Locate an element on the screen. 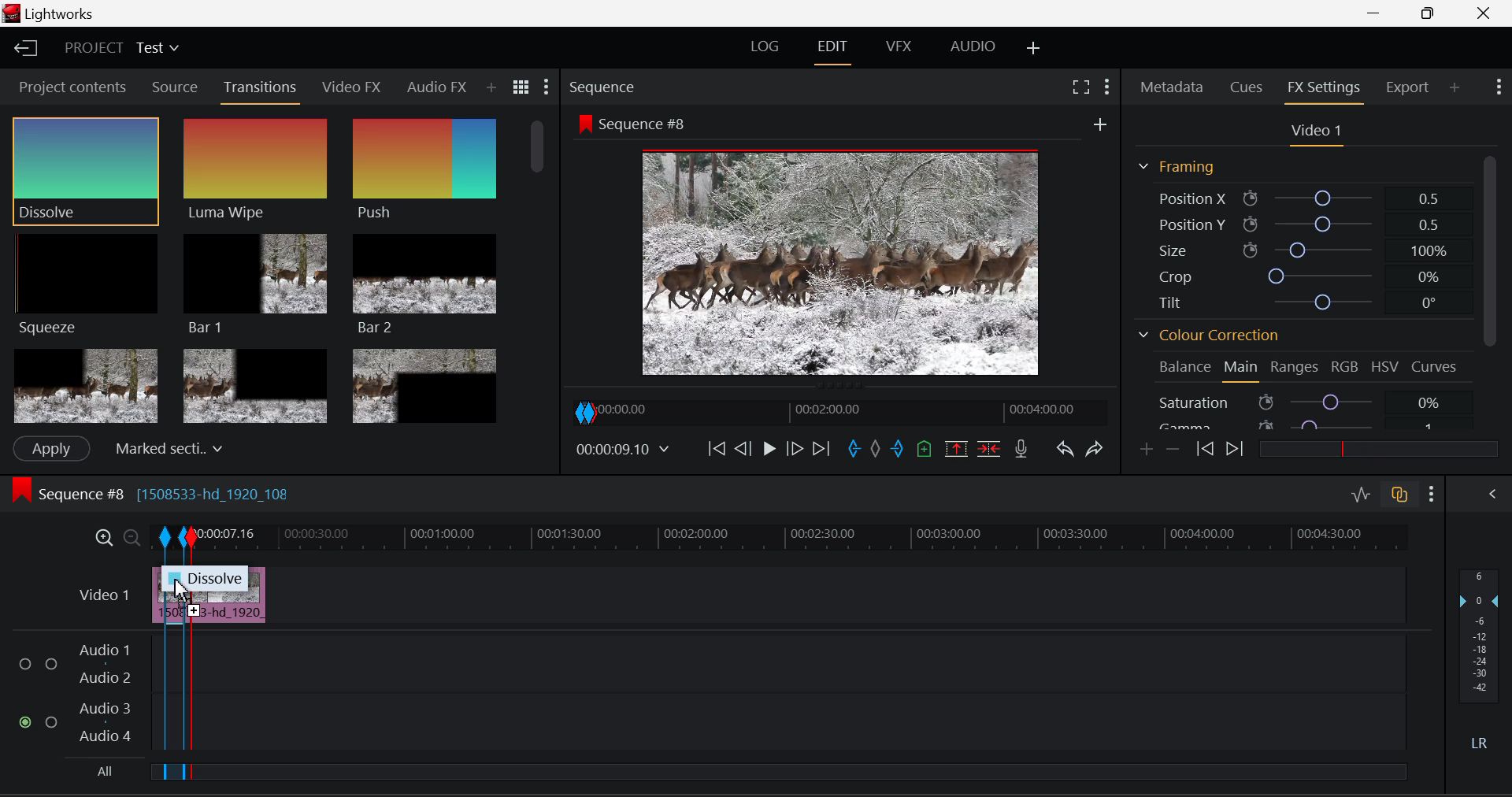  Size is located at coordinates (1299, 250).